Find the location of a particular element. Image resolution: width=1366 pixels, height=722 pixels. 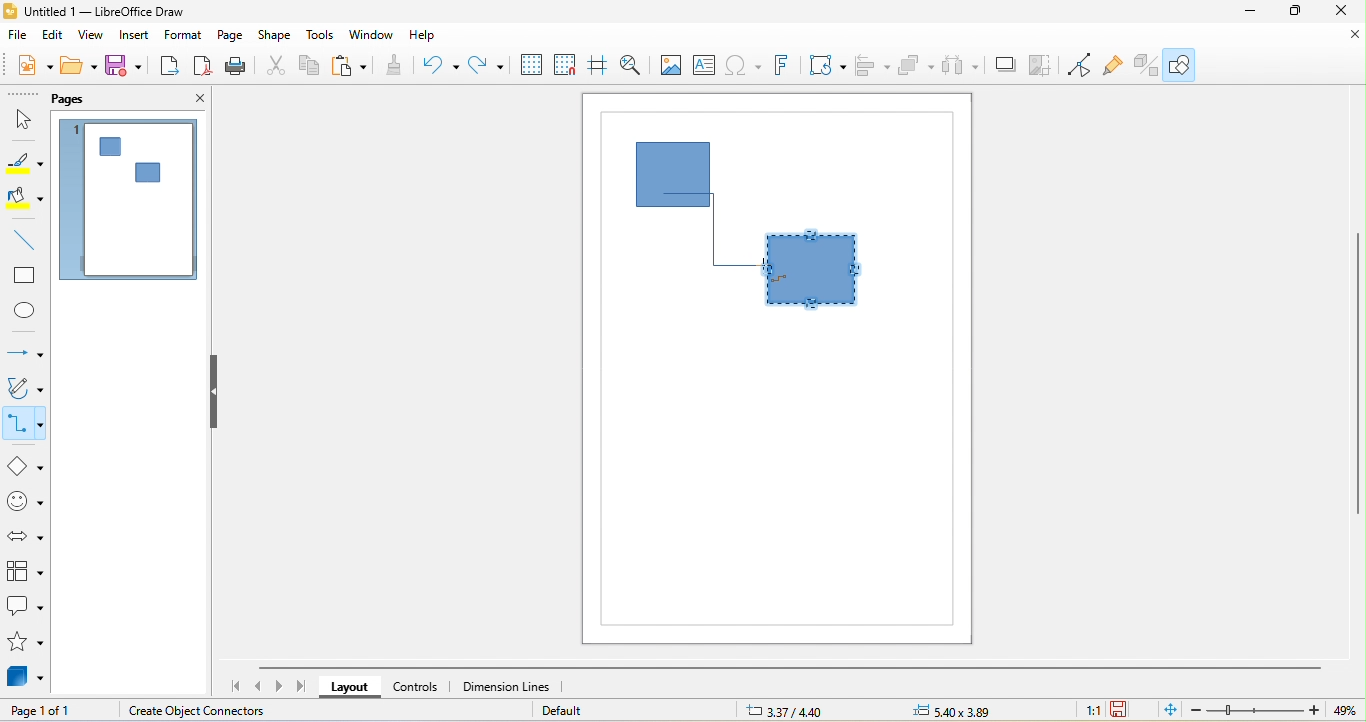

special character is located at coordinates (745, 65).